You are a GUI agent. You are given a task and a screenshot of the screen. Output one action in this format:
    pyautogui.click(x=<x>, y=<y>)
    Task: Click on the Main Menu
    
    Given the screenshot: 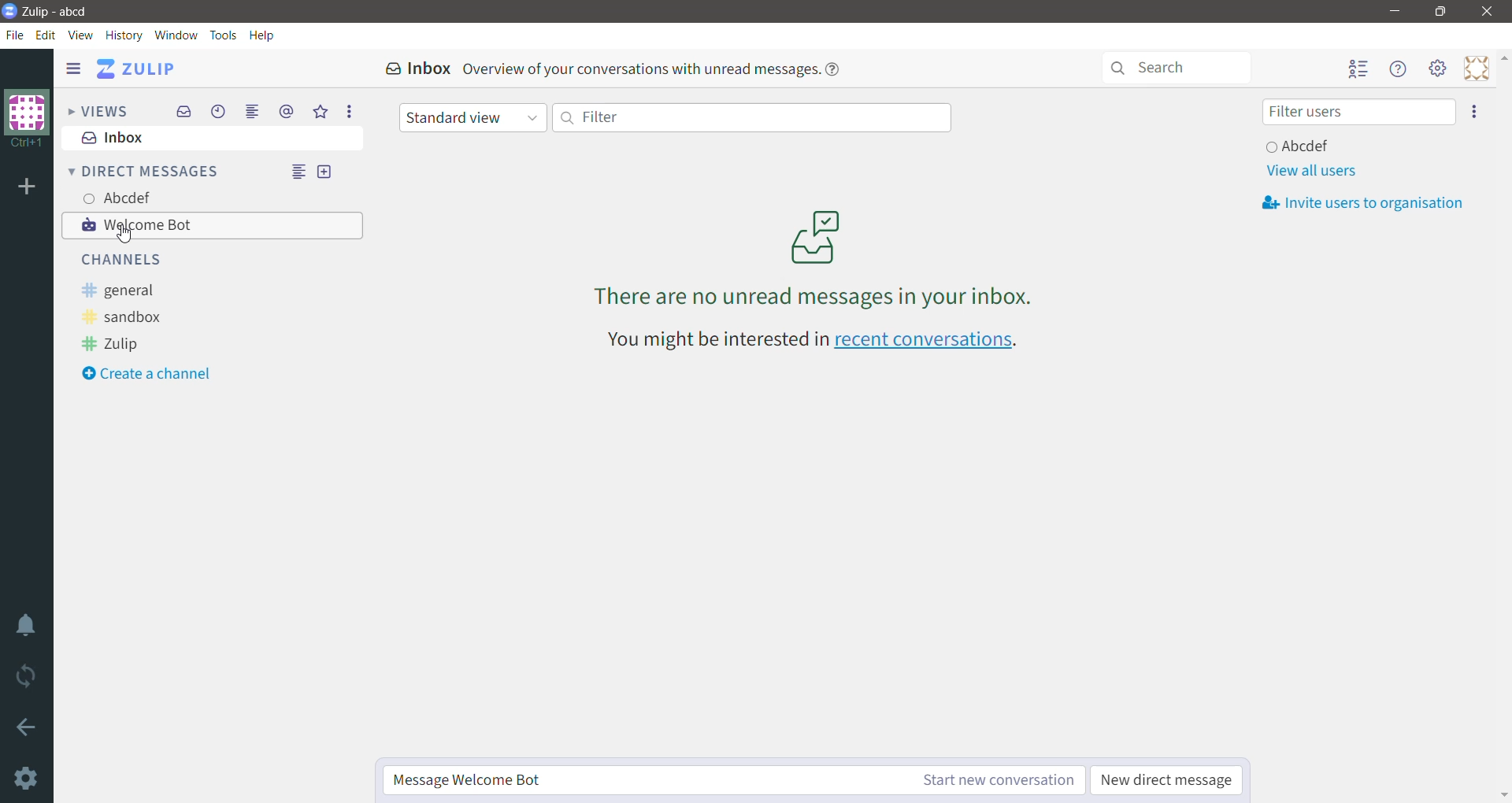 What is the action you would take?
    pyautogui.click(x=1437, y=71)
    